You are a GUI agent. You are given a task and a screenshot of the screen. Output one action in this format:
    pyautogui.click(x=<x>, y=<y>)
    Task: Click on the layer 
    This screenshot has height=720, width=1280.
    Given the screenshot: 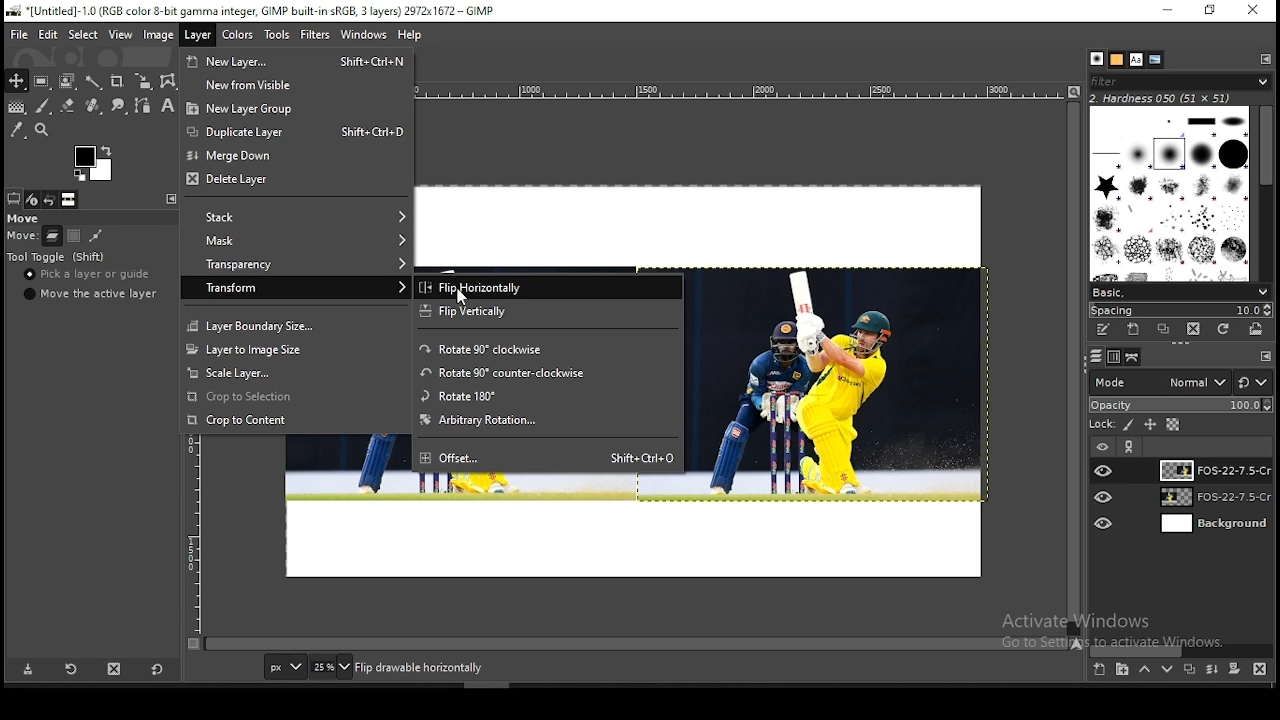 What is the action you would take?
    pyautogui.click(x=1212, y=499)
    